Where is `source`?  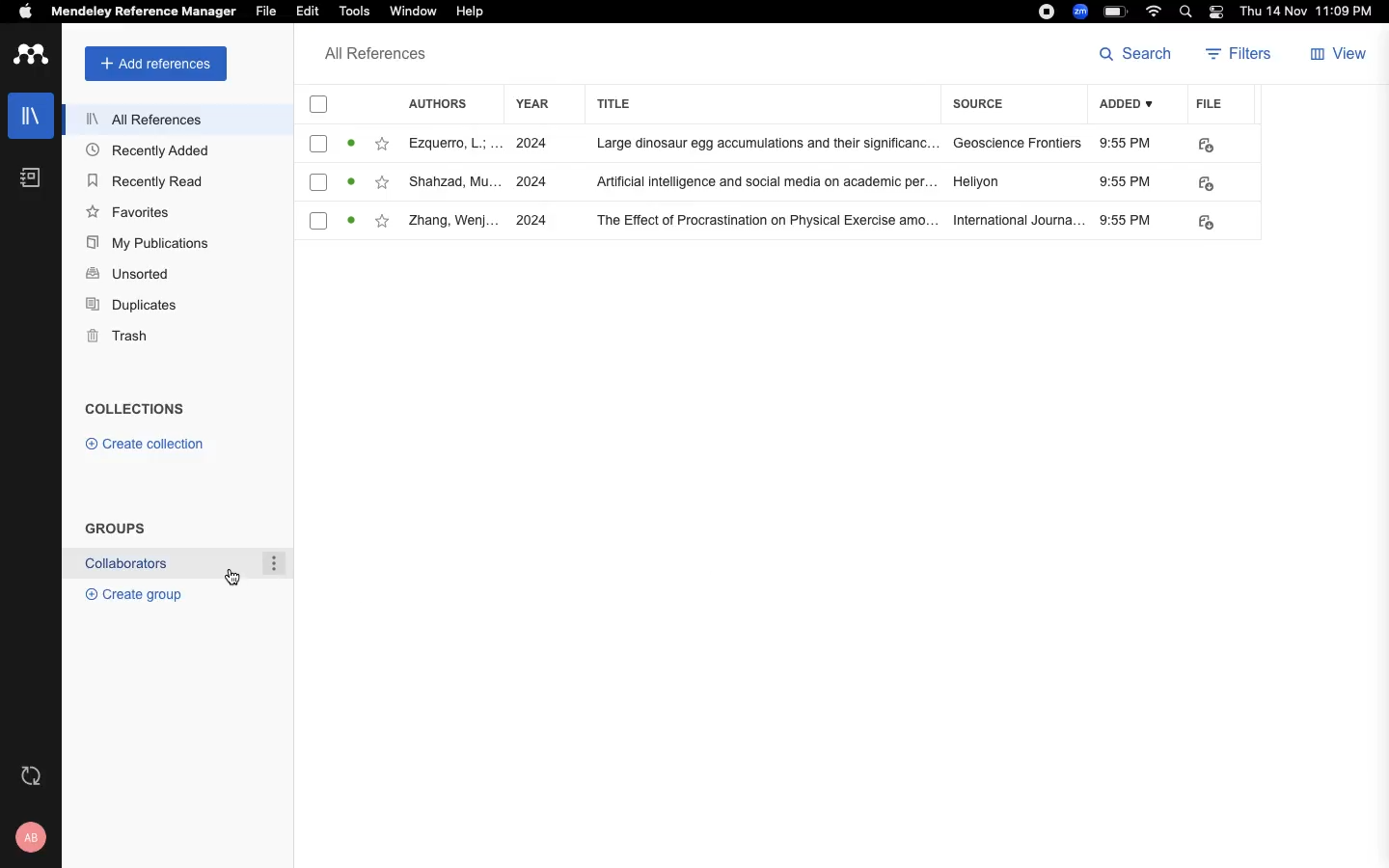
source is located at coordinates (981, 103).